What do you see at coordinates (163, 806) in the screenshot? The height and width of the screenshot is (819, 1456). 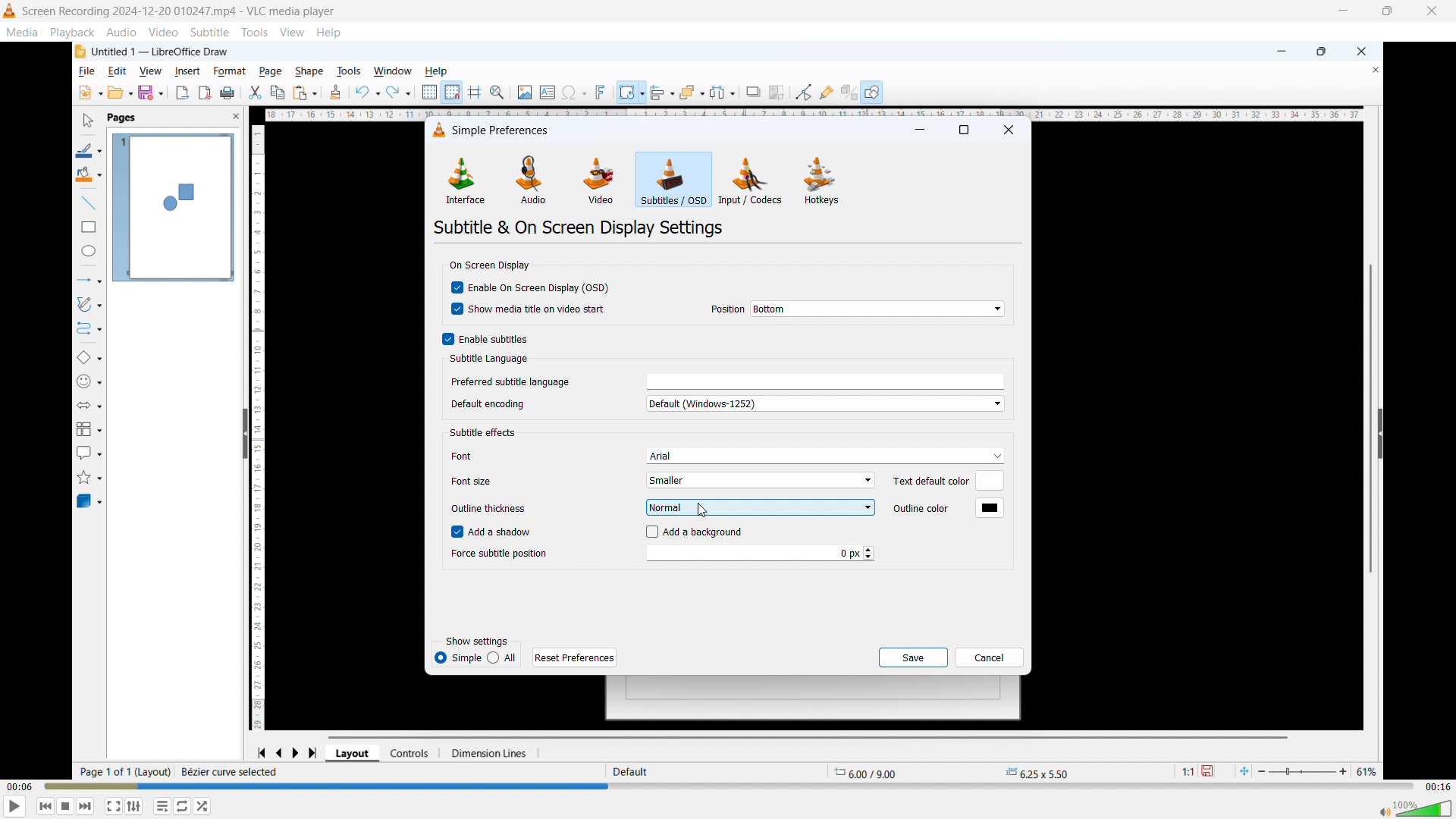 I see `Toggle between loop all, one loop and no loop ` at bounding box center [163, 806].